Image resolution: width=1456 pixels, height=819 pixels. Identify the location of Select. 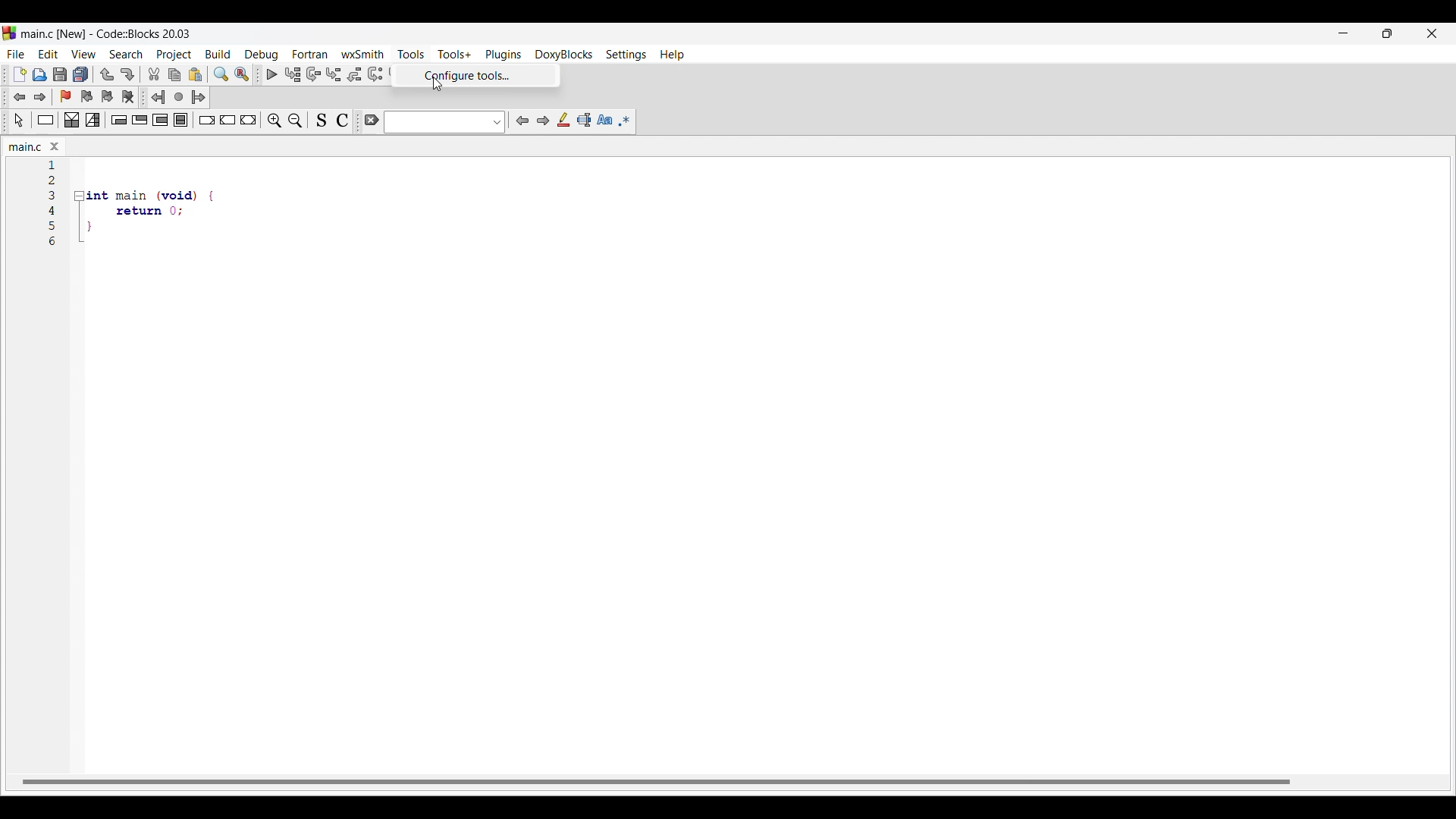
(18, 121).